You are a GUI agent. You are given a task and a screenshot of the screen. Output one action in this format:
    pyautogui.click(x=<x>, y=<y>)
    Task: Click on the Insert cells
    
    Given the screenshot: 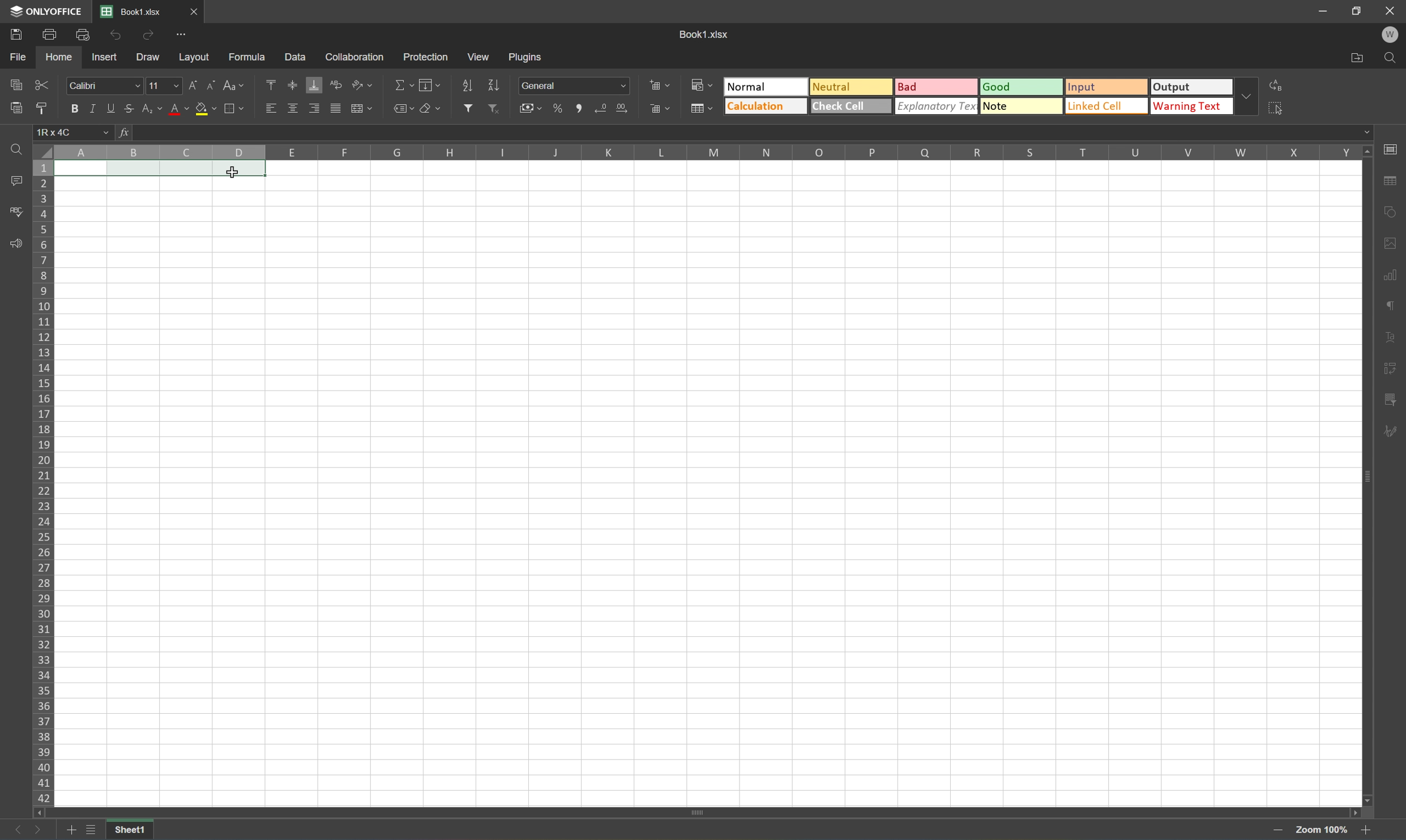 What is the action you would take?
    pyautogui.click(x=657, y=84)
    